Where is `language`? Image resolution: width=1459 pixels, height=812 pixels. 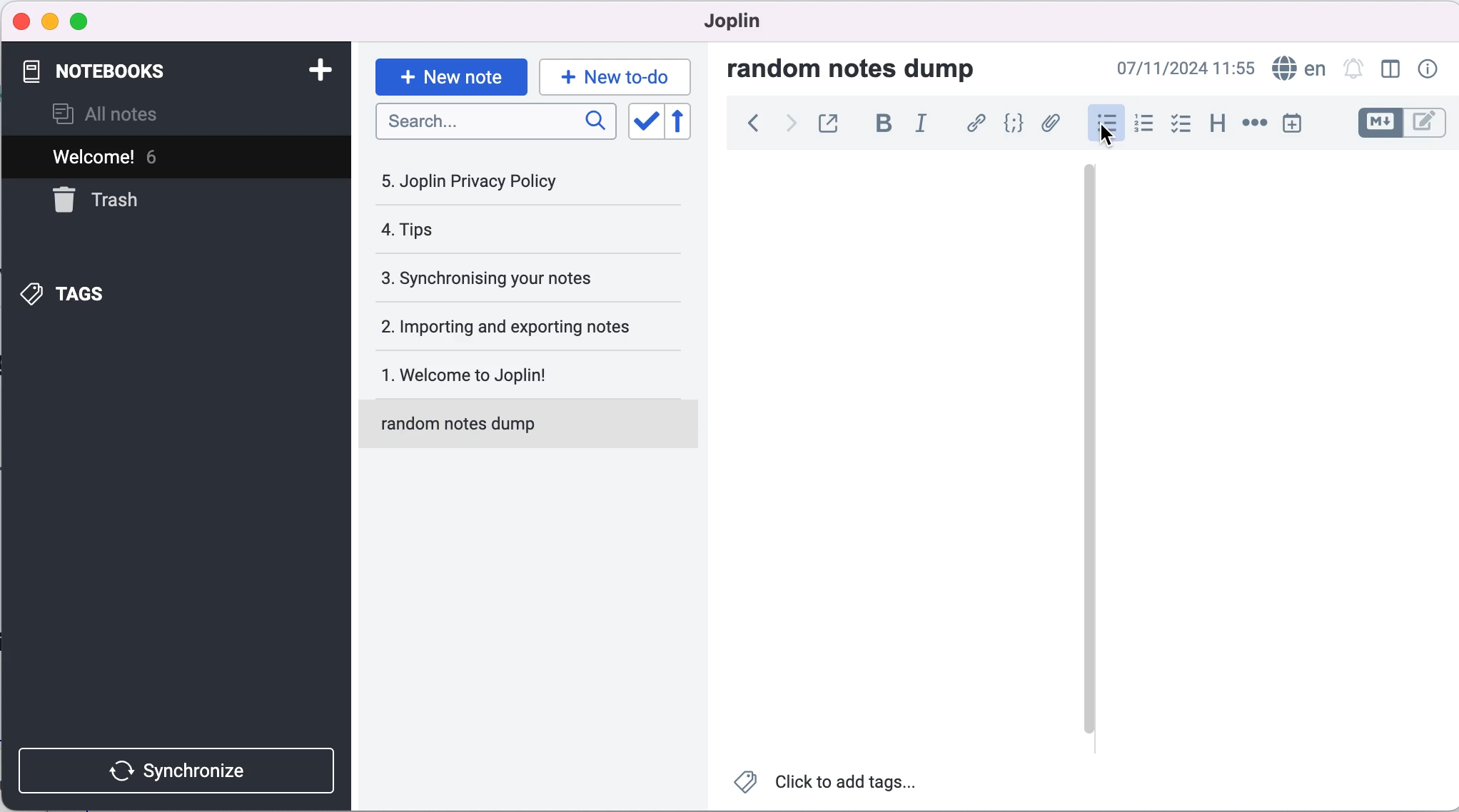
language is located at coordinates (1298, 67).